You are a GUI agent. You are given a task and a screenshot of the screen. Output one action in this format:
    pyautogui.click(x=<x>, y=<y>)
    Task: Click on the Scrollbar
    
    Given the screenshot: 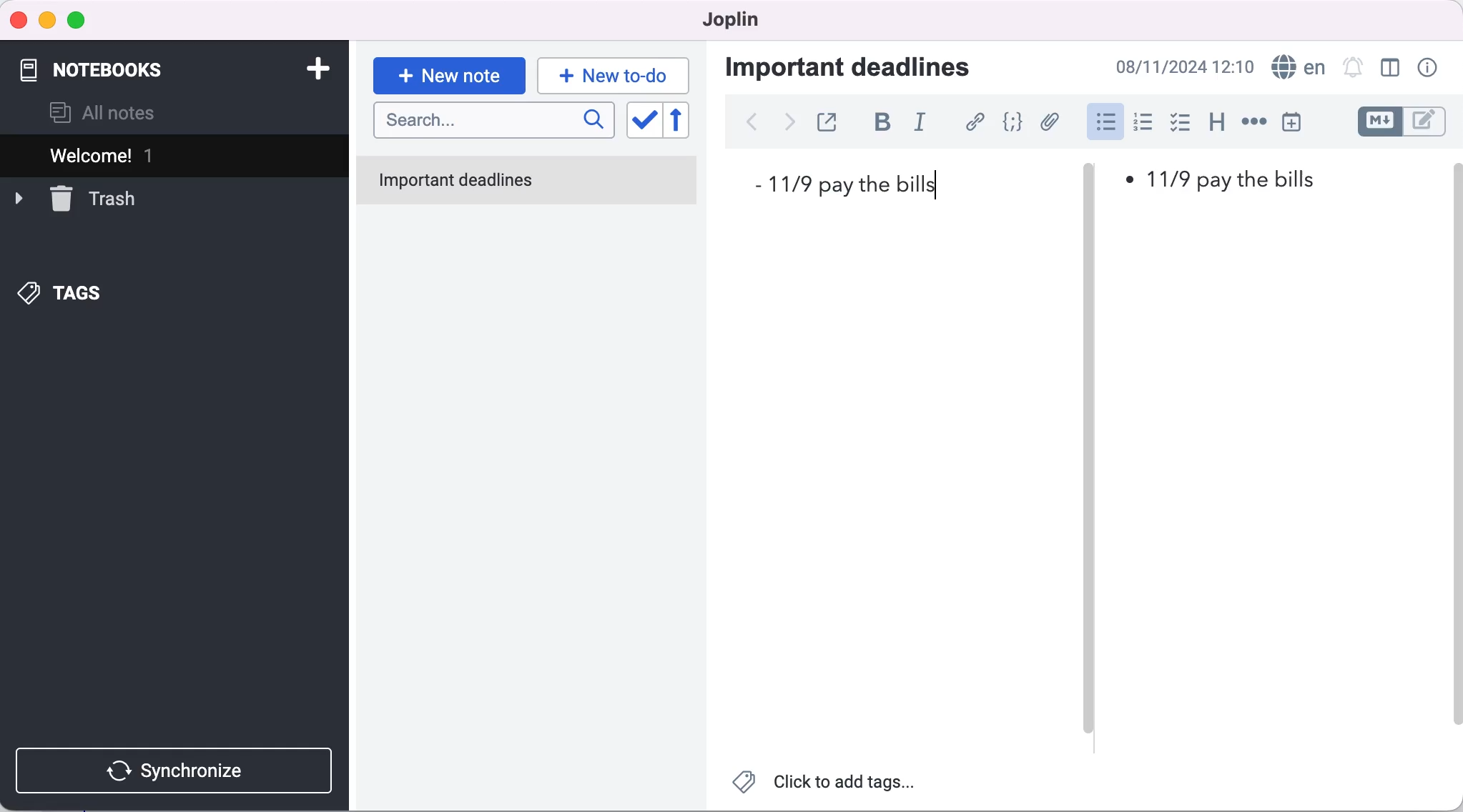 What is the action you would take?
    pyautogui.click(x=1461, y=442)
    